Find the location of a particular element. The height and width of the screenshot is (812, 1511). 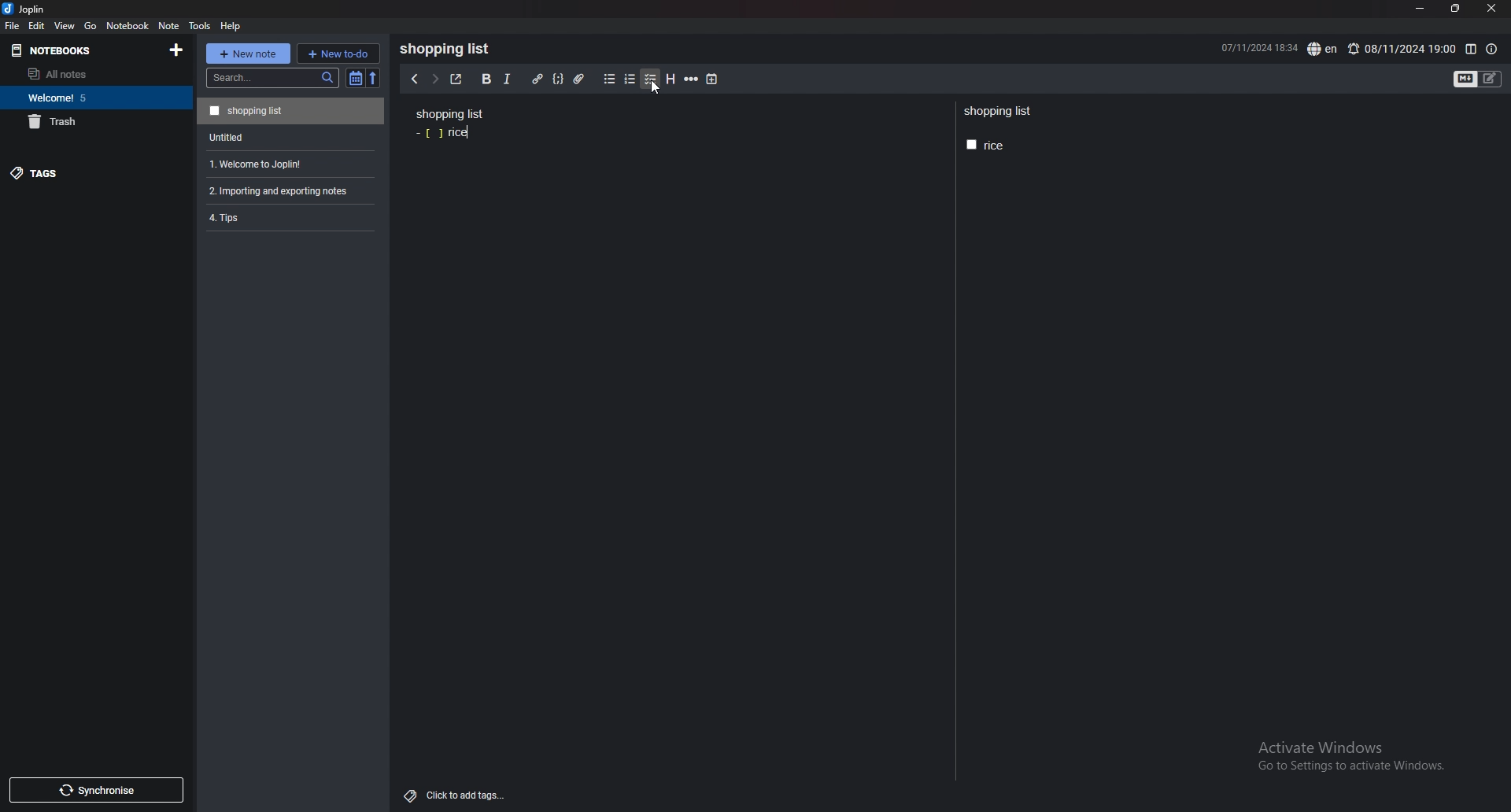

Shopping list is located at coordinates (999, 112).